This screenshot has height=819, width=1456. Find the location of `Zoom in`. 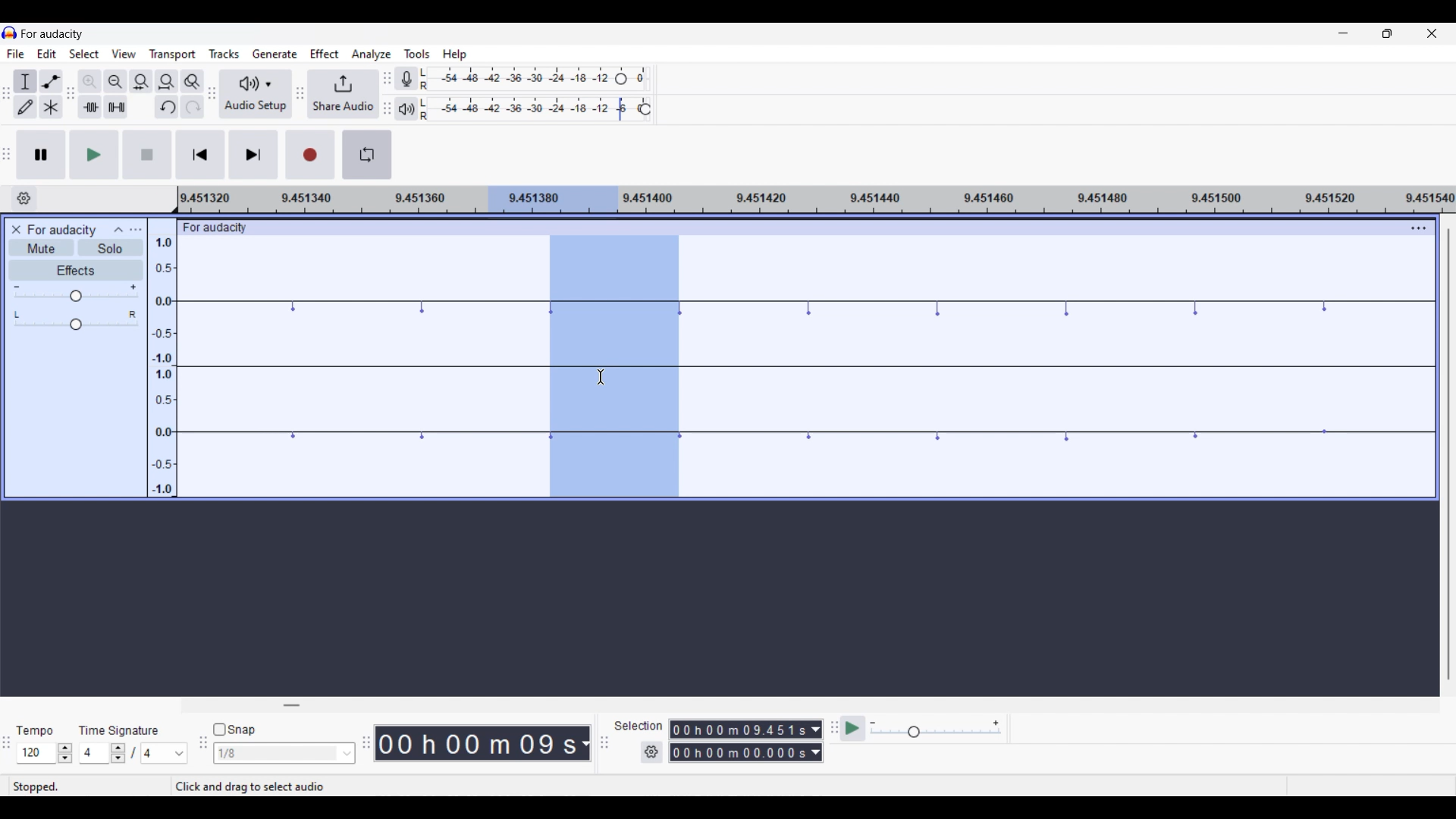

Zoom in is located at coordinates (89, 82).